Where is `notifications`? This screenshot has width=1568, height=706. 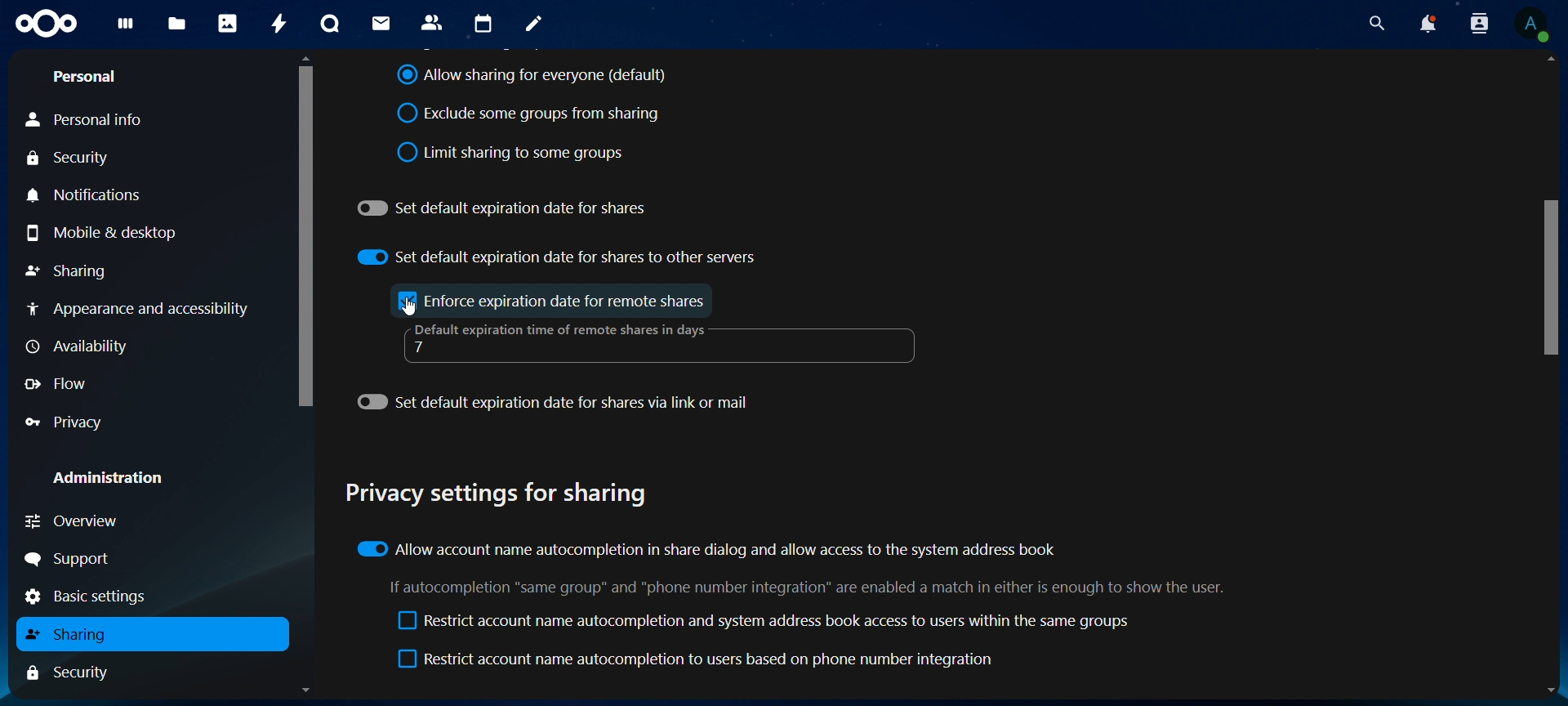
notifications is located at coordinates (1427, 25).